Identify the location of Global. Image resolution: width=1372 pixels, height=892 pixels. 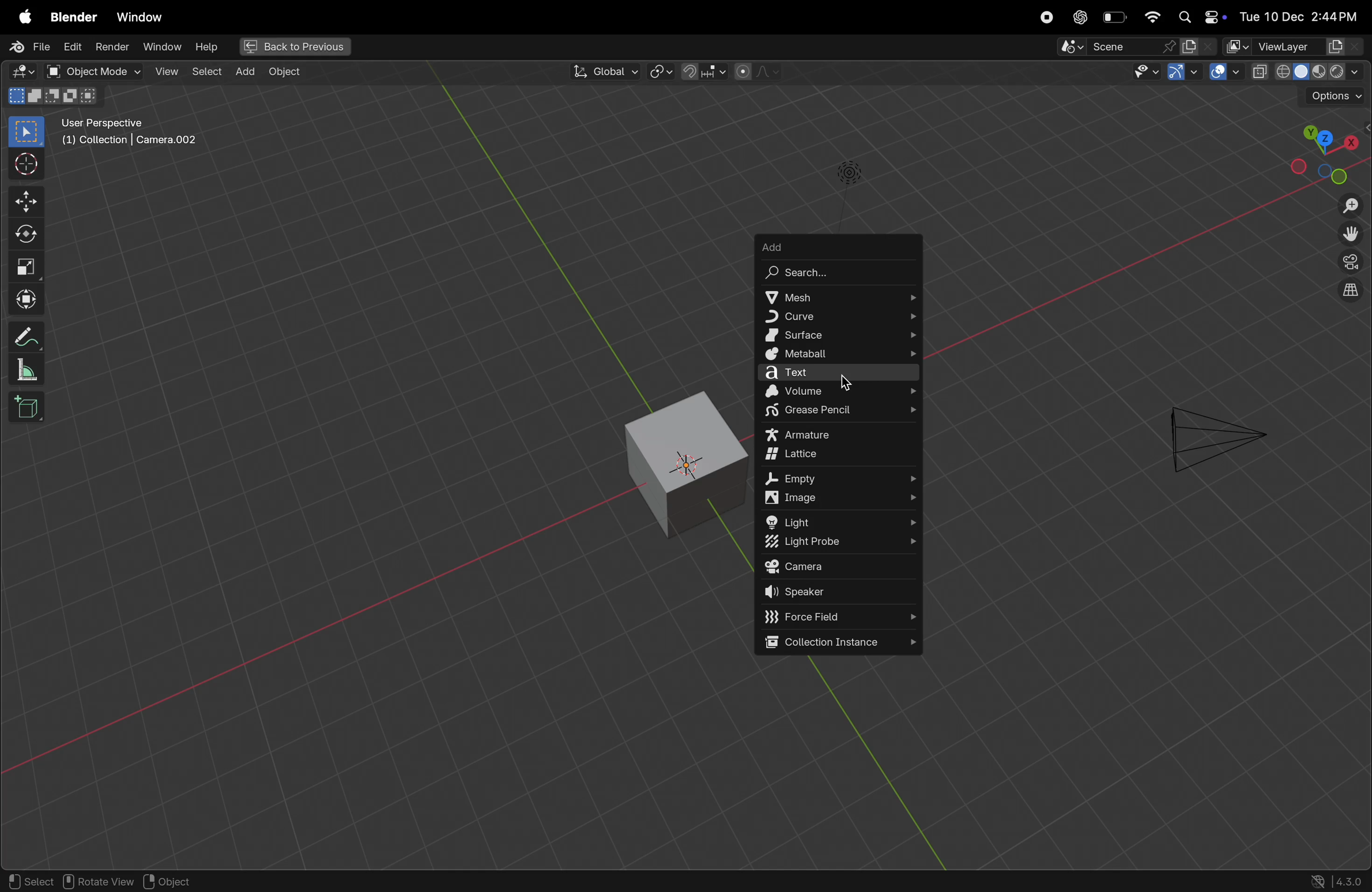
(603, 72).